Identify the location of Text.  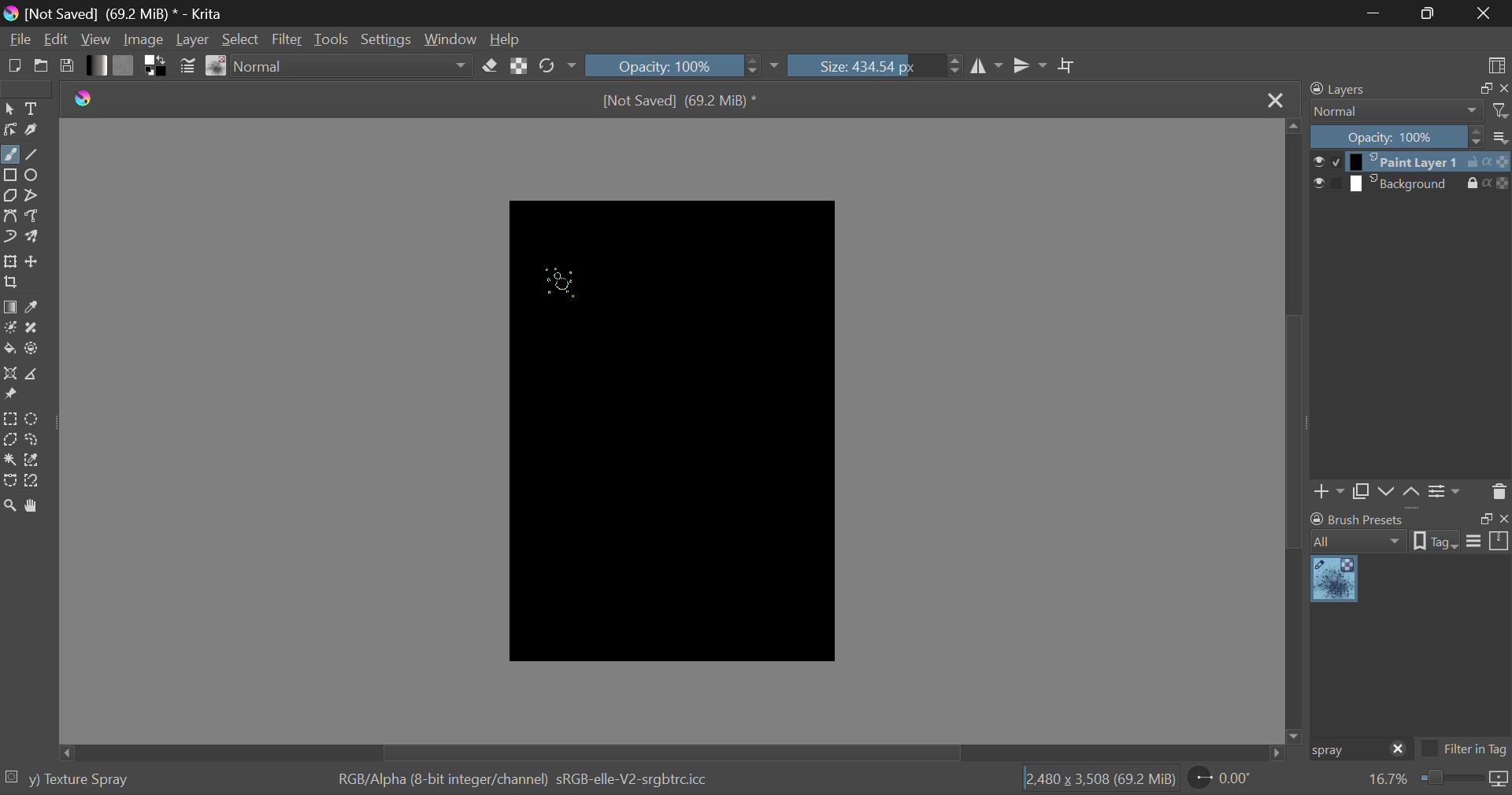
(35, 107).